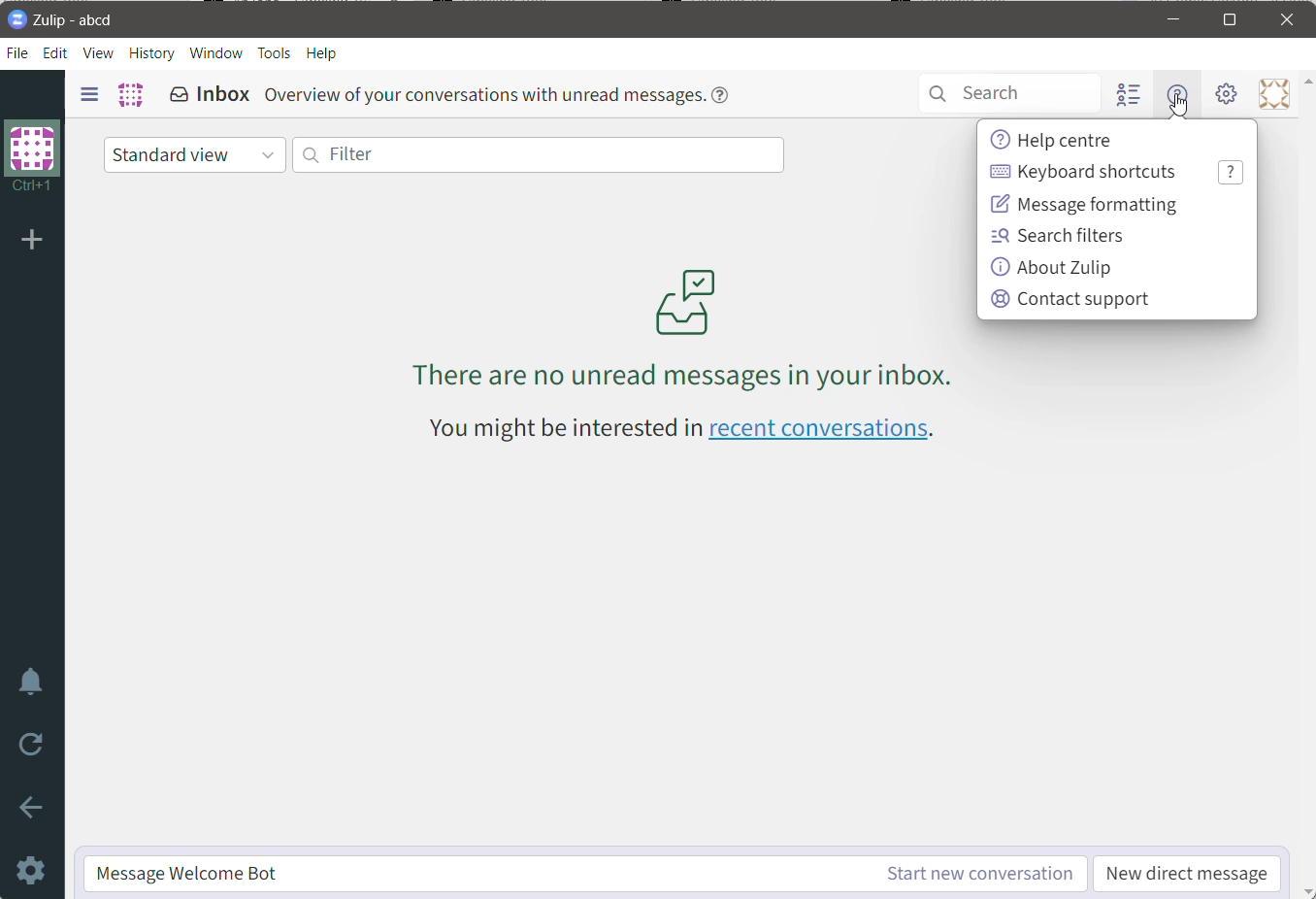 The width and height of the screenshot is (1316, 899). I want to click on Add organization, so click(37, 241).